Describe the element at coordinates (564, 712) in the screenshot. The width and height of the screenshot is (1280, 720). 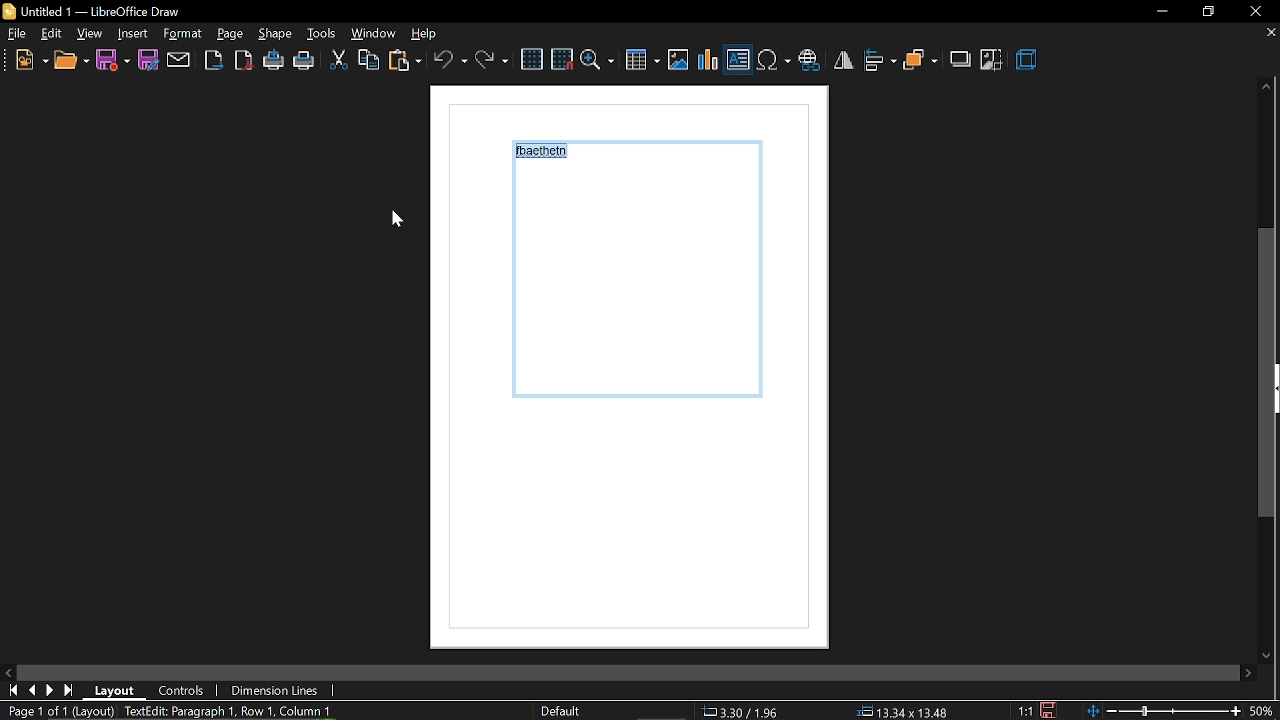
I see `Default style` at that location.